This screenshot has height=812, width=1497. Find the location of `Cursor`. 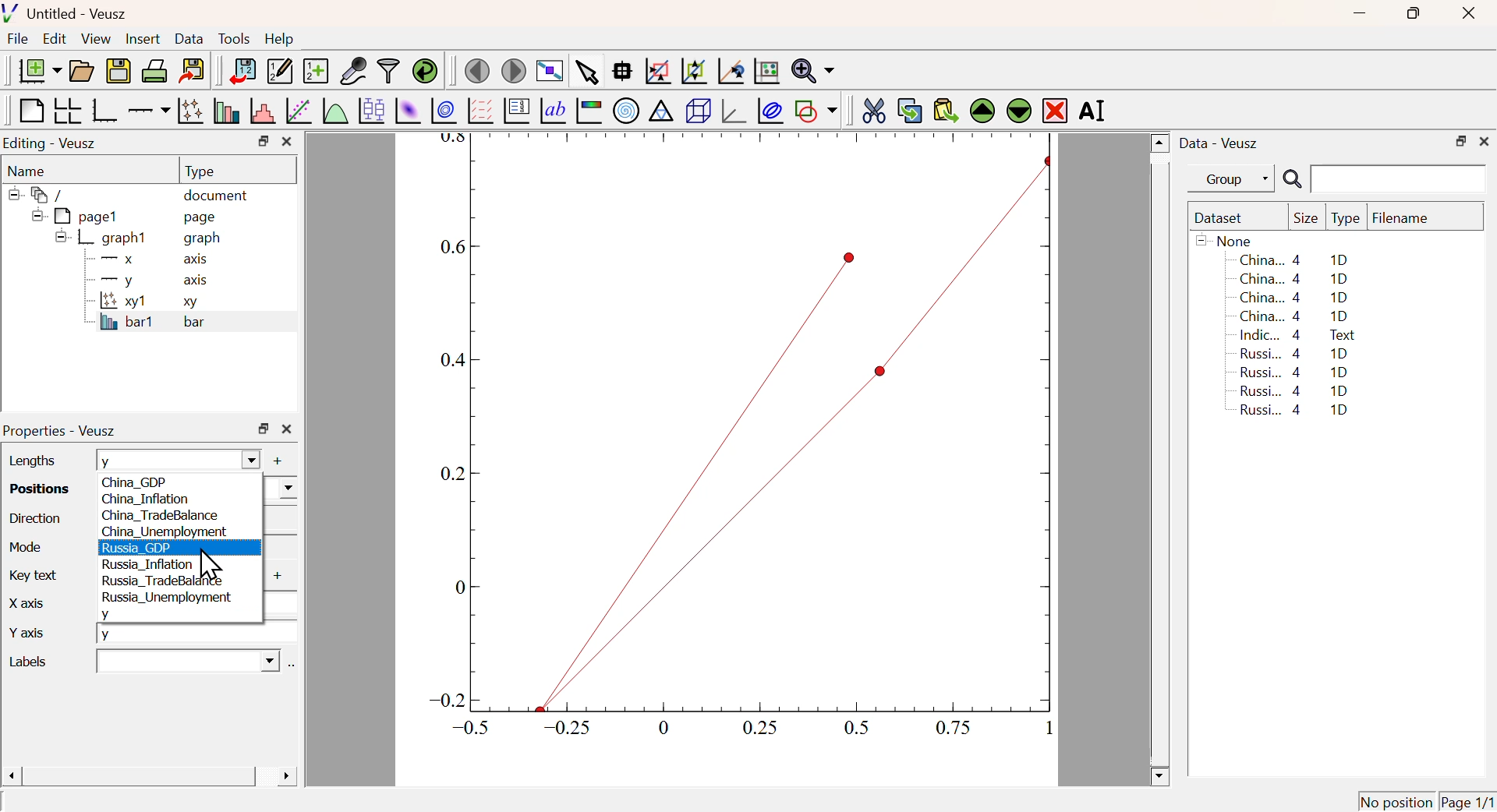

Cursor is located at coordinates (210, 566).